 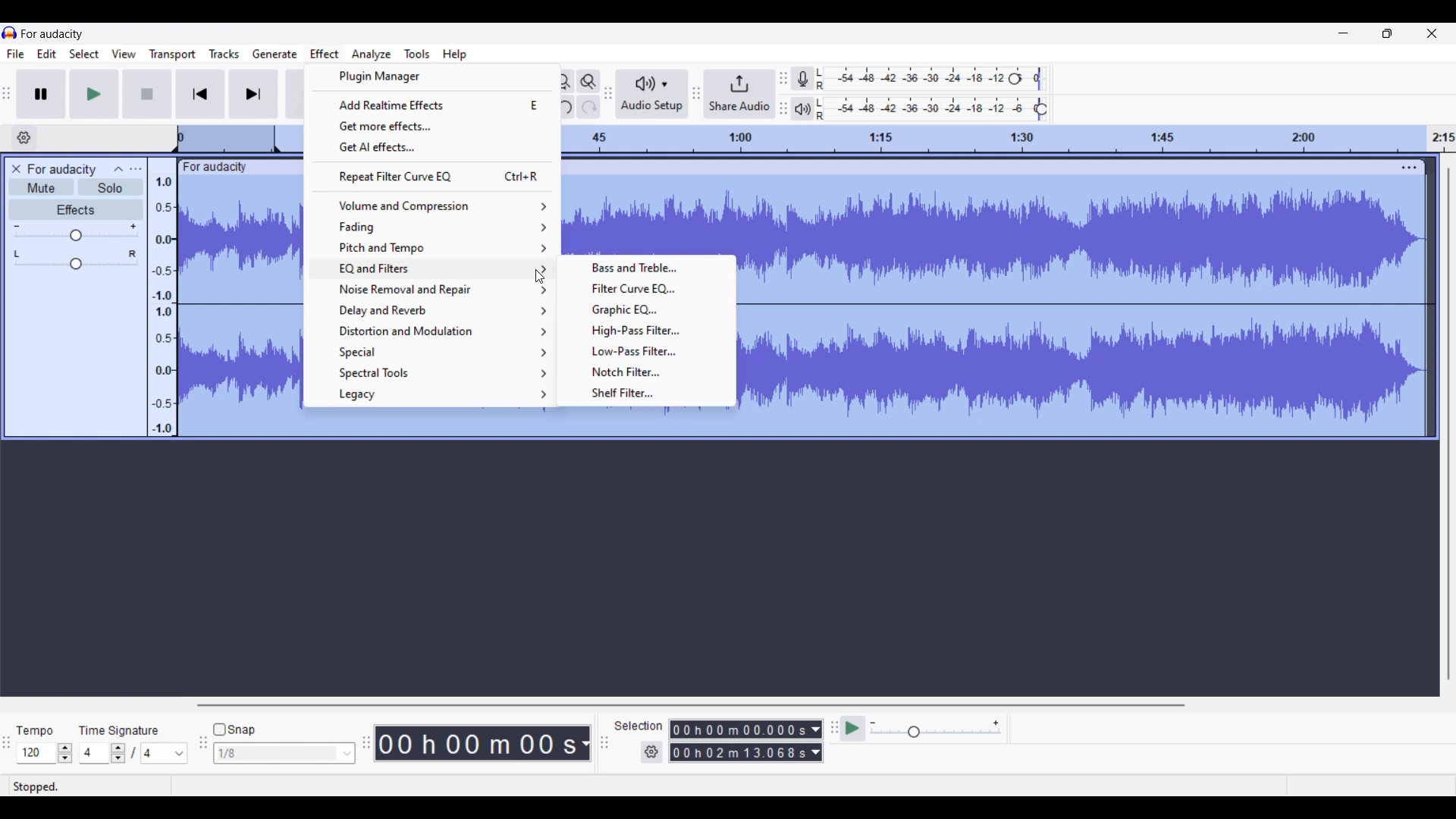 I want to click on Tracks menu, so click(x=224, y=54).